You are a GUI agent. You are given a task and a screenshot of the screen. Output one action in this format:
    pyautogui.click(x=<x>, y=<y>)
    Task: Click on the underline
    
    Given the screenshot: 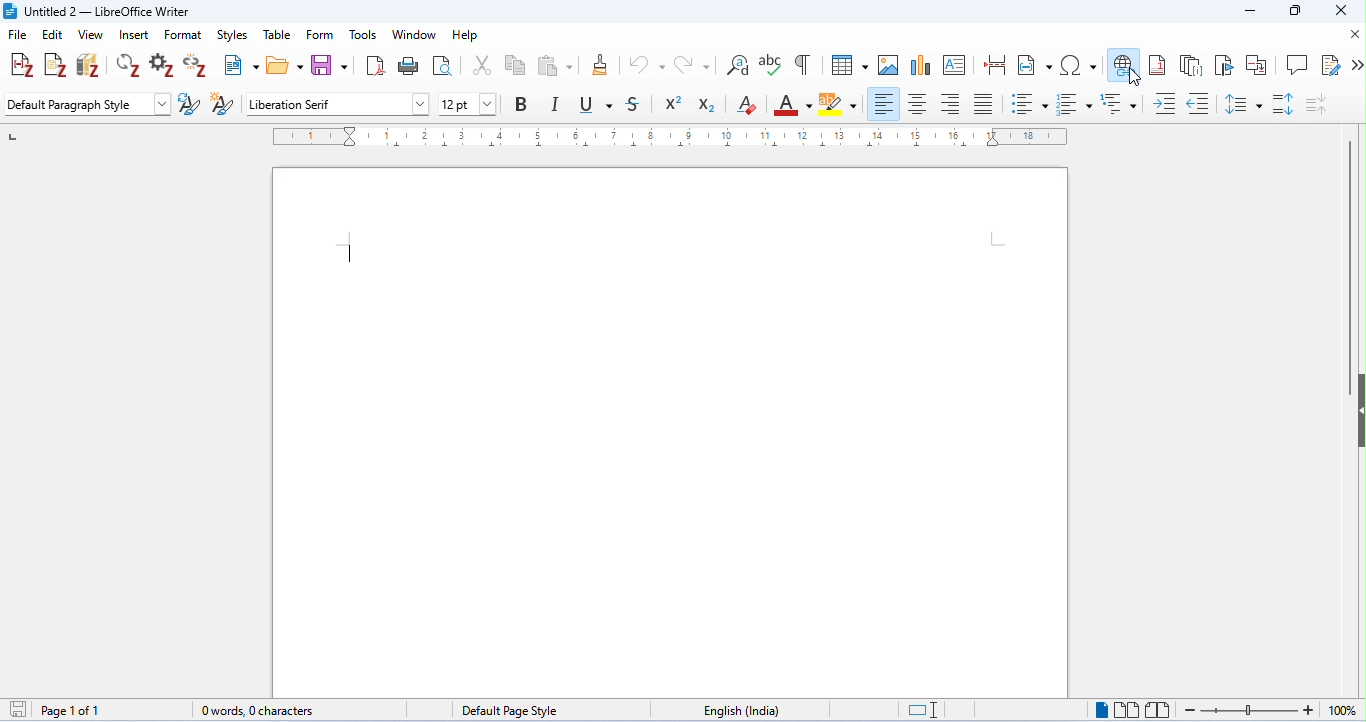 What is the action you would take?
    pyautogui.click(x=596, y=105)
    